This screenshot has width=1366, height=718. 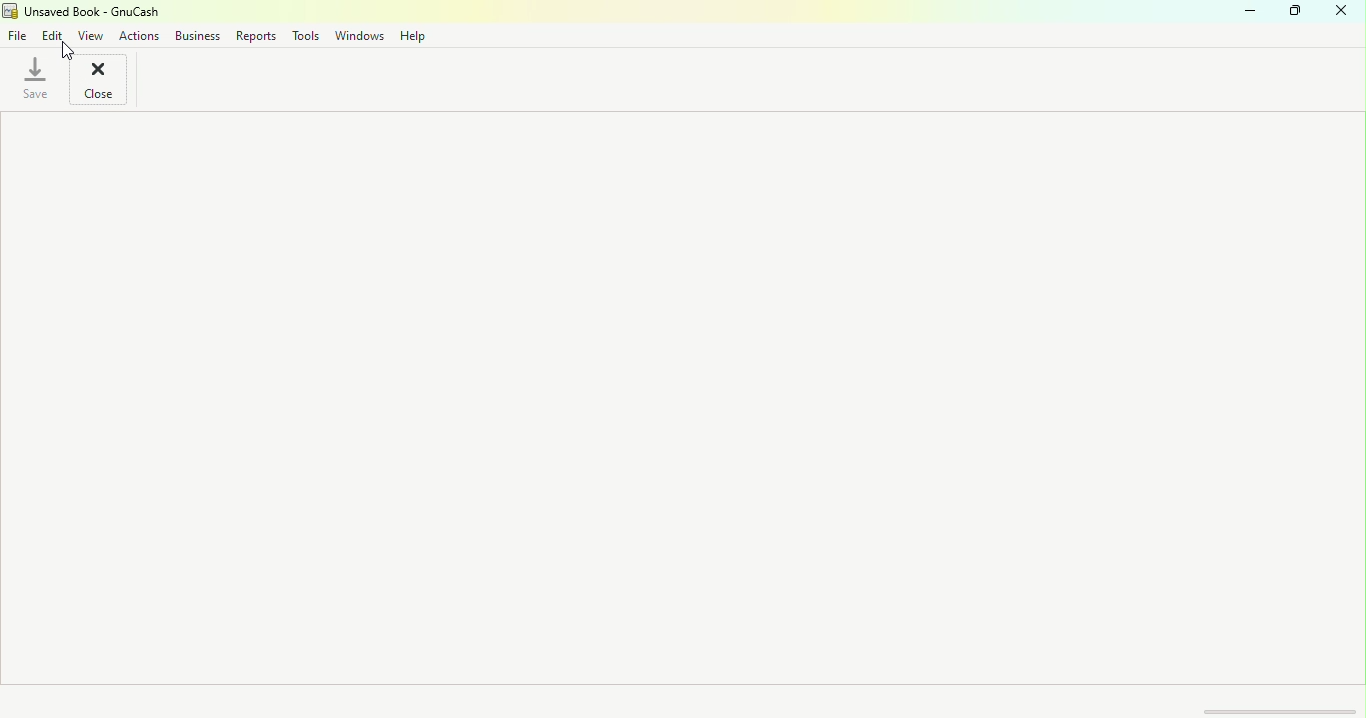 What do you see at coordinates (683, 699) in the screenshot?
I see `Status bar` at bounding box center [683, 699].